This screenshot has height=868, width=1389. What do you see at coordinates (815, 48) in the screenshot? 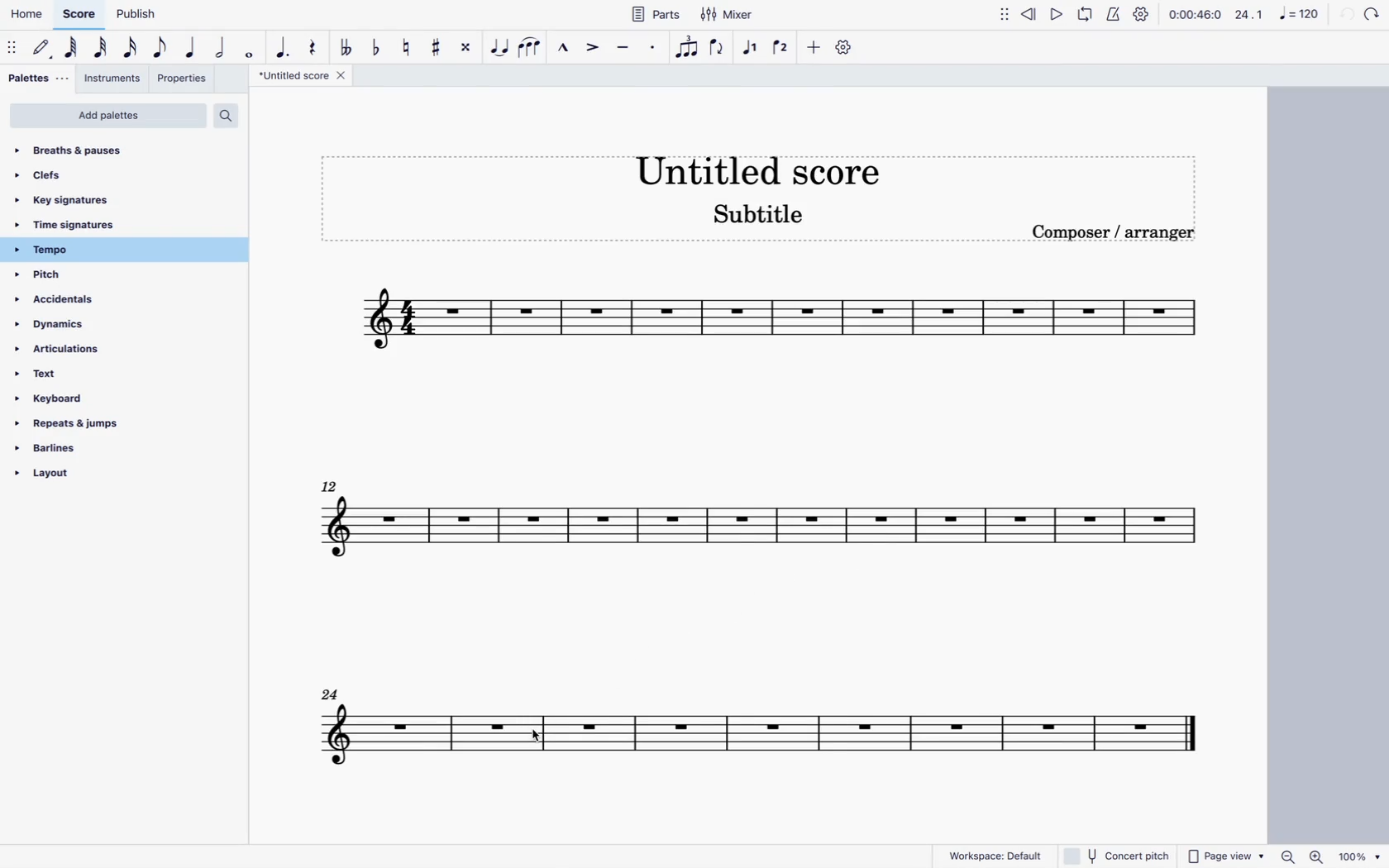
I see `more` at bounding box center [815, 48].